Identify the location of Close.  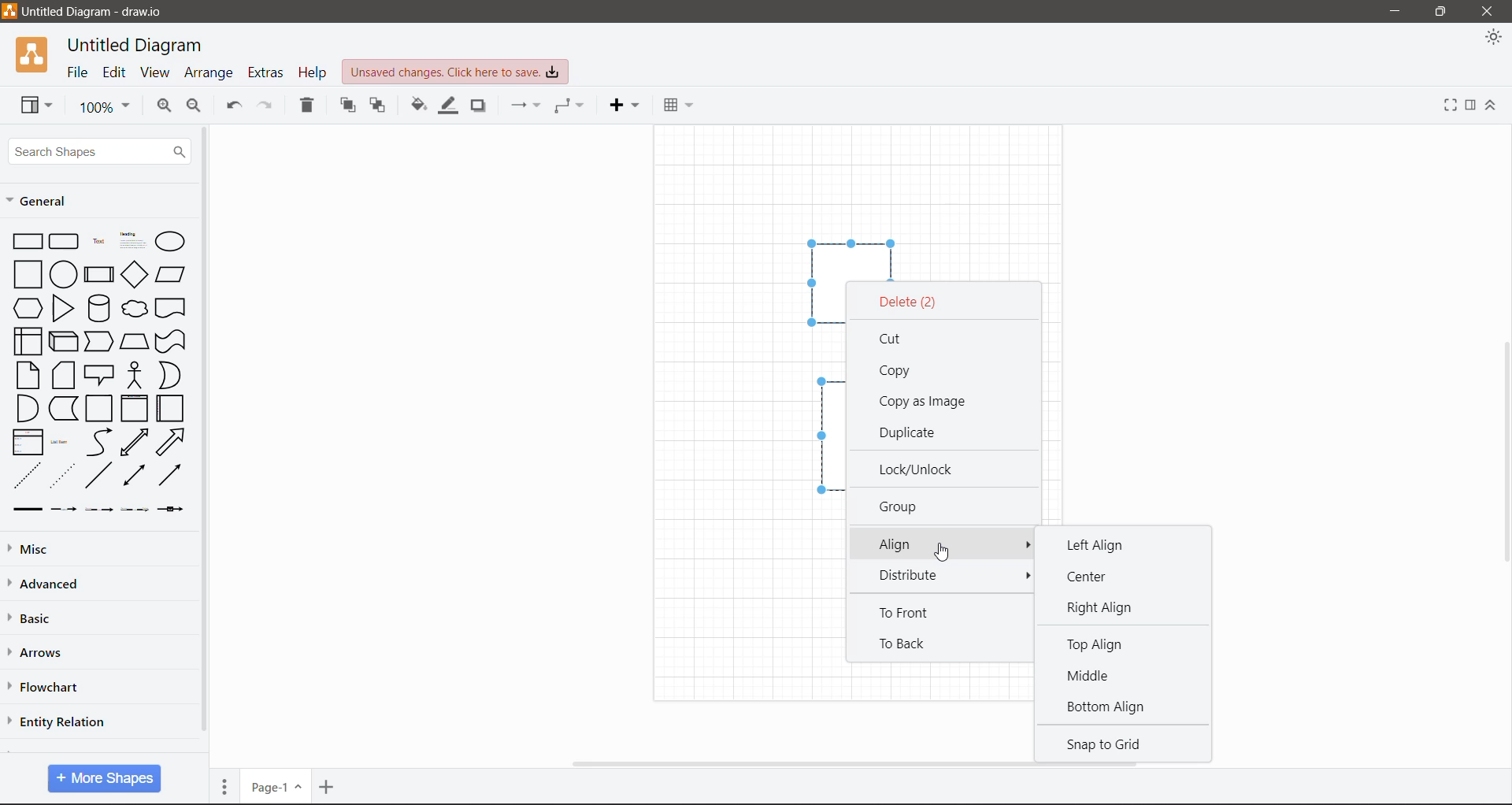
(1490, 12).